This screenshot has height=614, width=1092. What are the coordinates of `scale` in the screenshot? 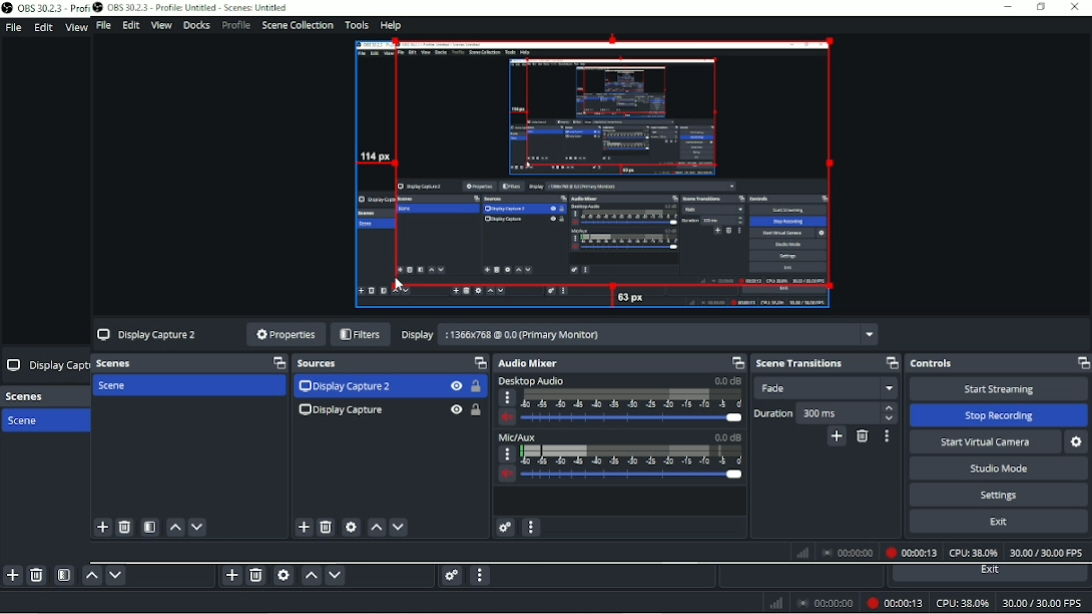 It's located at (630, 457).